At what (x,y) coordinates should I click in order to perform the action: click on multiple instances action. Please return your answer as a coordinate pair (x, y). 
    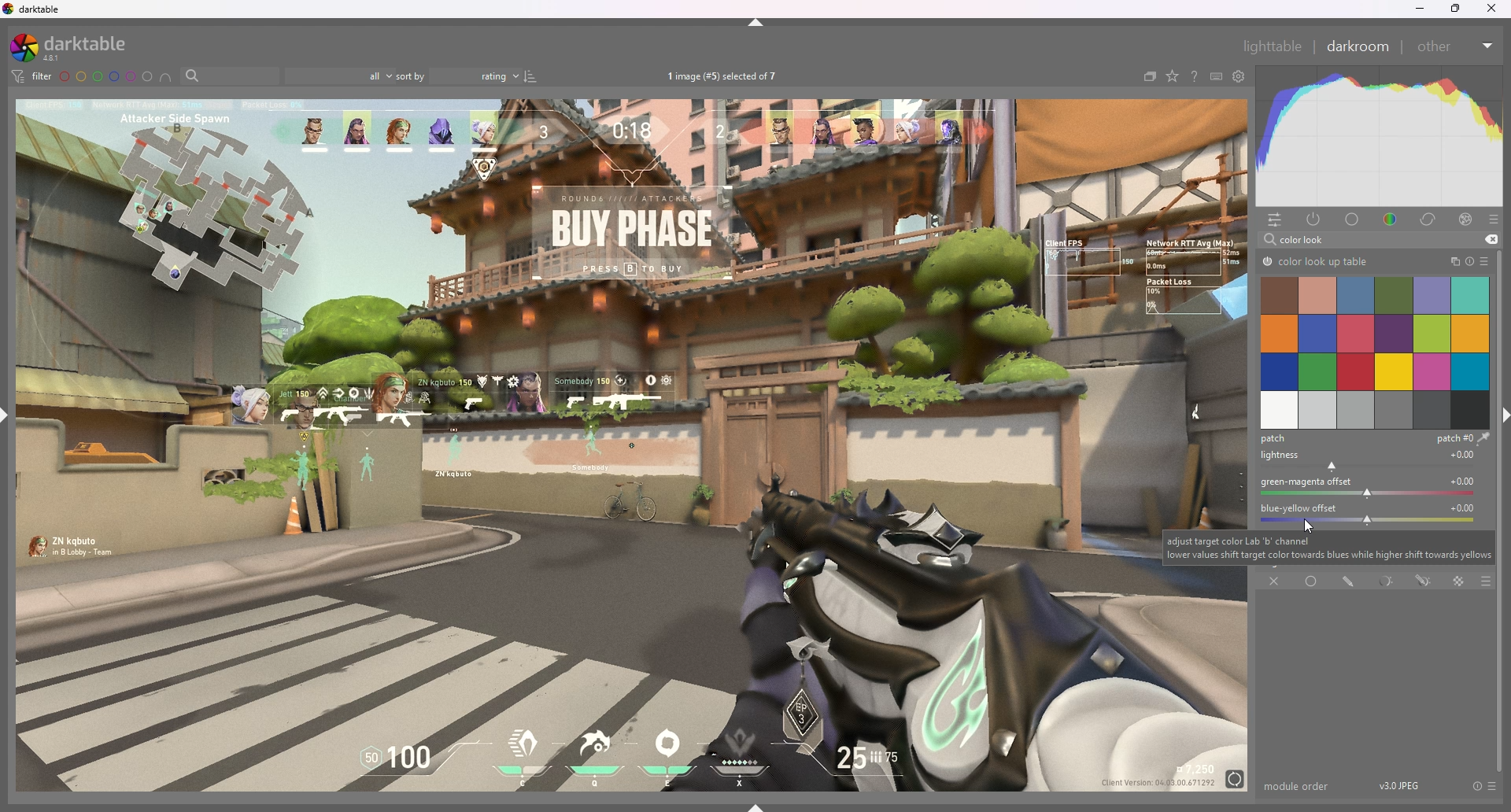
    Looking at the image, I should click on (1450, 261).